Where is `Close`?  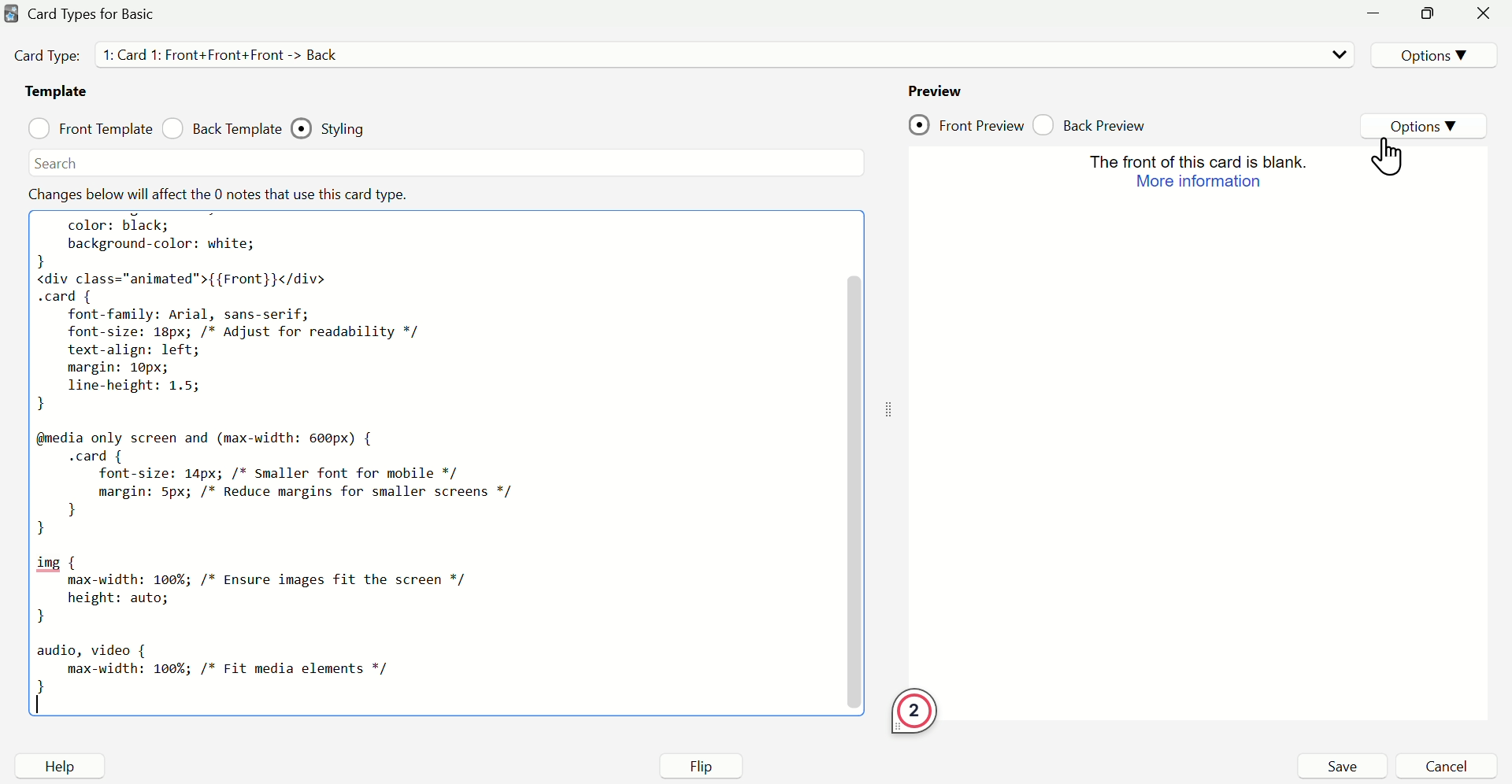 Close is located at coordinates (1484, 17).